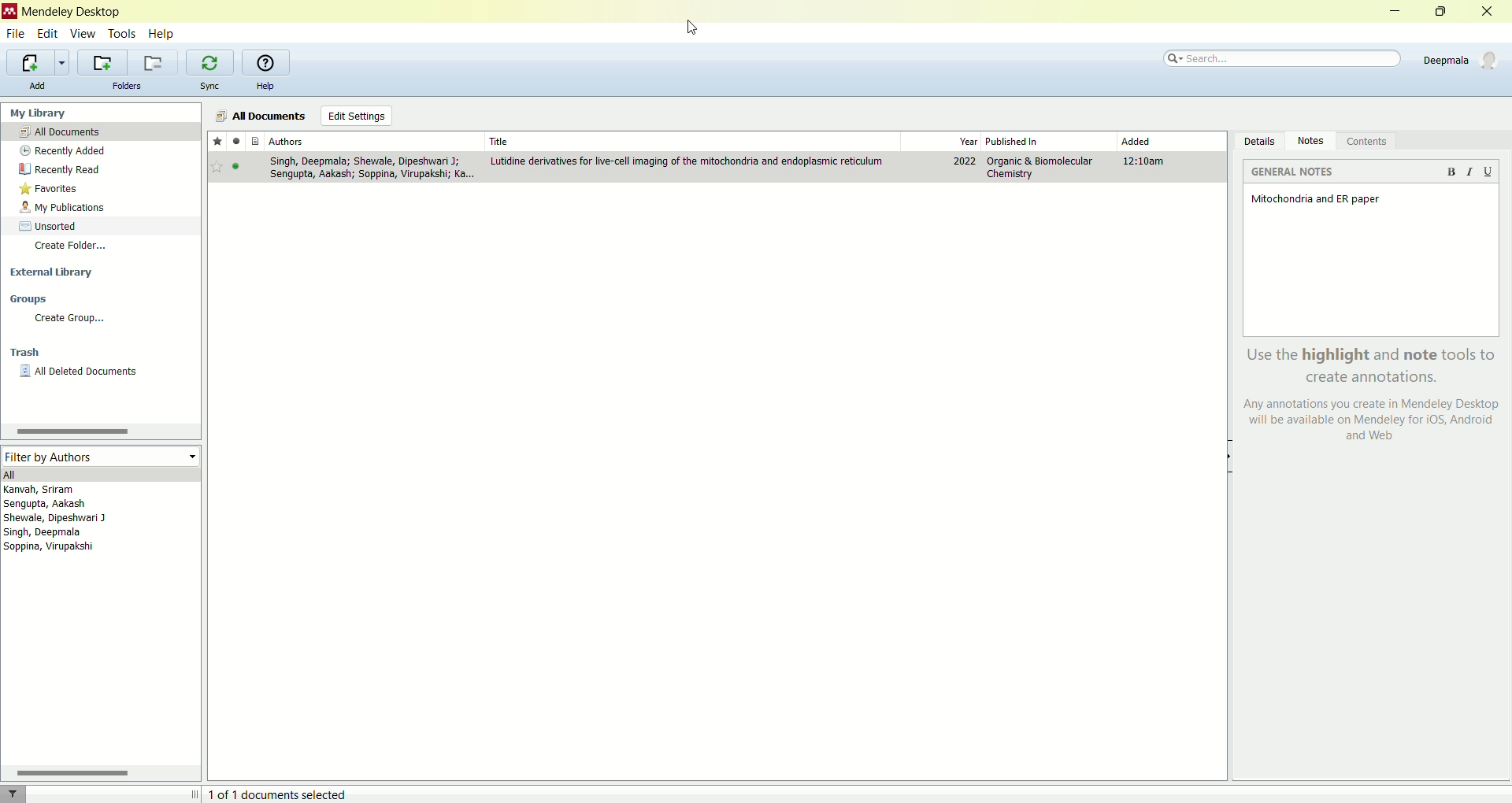  Describe the element at coordinates (1147, 162) in the screenshot. I see `12:10am` at that location.